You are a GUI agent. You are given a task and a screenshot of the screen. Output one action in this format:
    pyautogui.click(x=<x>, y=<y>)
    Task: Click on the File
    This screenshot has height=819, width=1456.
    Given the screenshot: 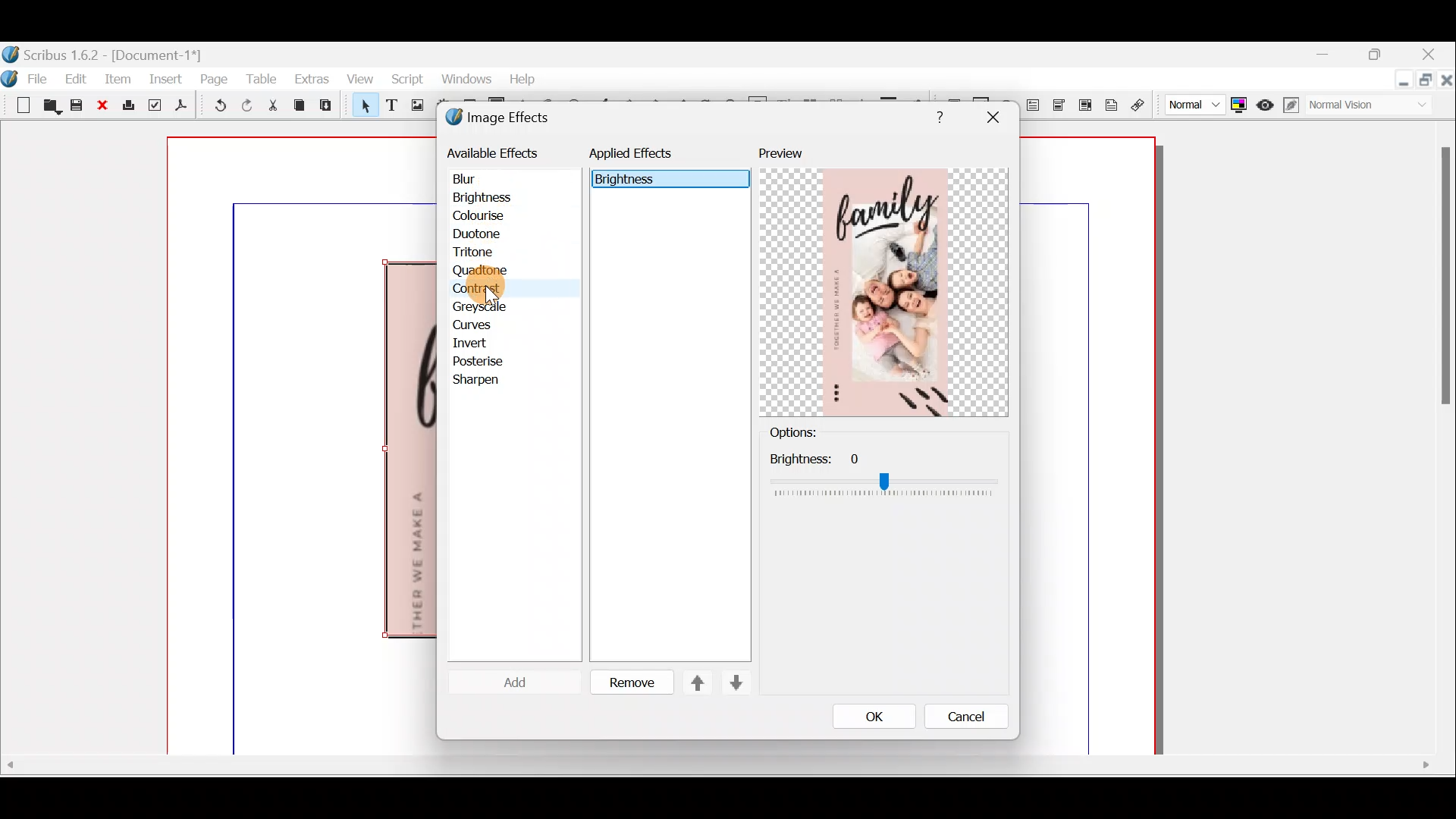 What is the action you would take?
    pyautogui.click(x=42, y=77)
    